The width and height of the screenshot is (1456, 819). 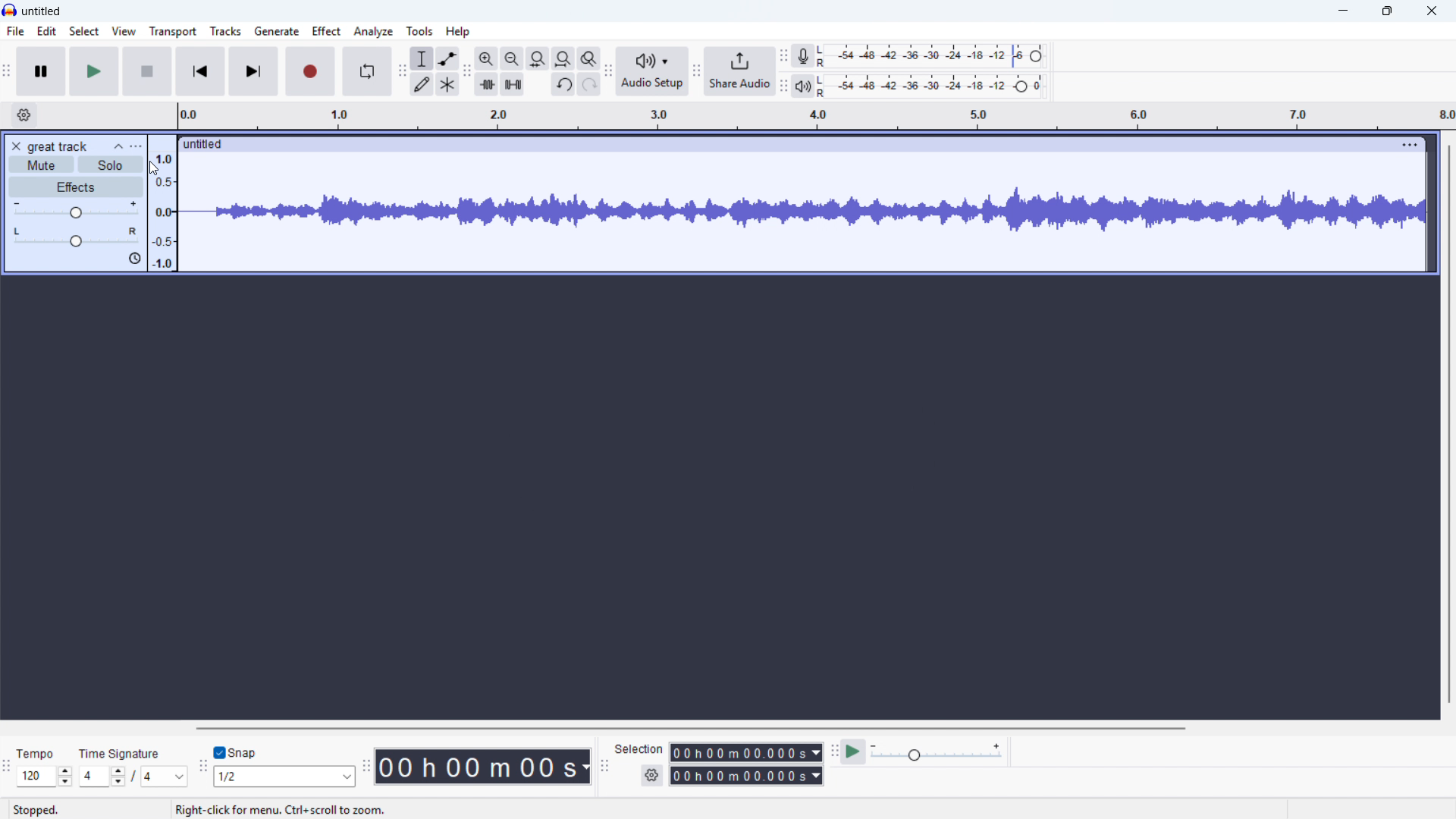 I want to click on right click for meny, ctrl+scroll to zoom, so click(x=279, y=811).